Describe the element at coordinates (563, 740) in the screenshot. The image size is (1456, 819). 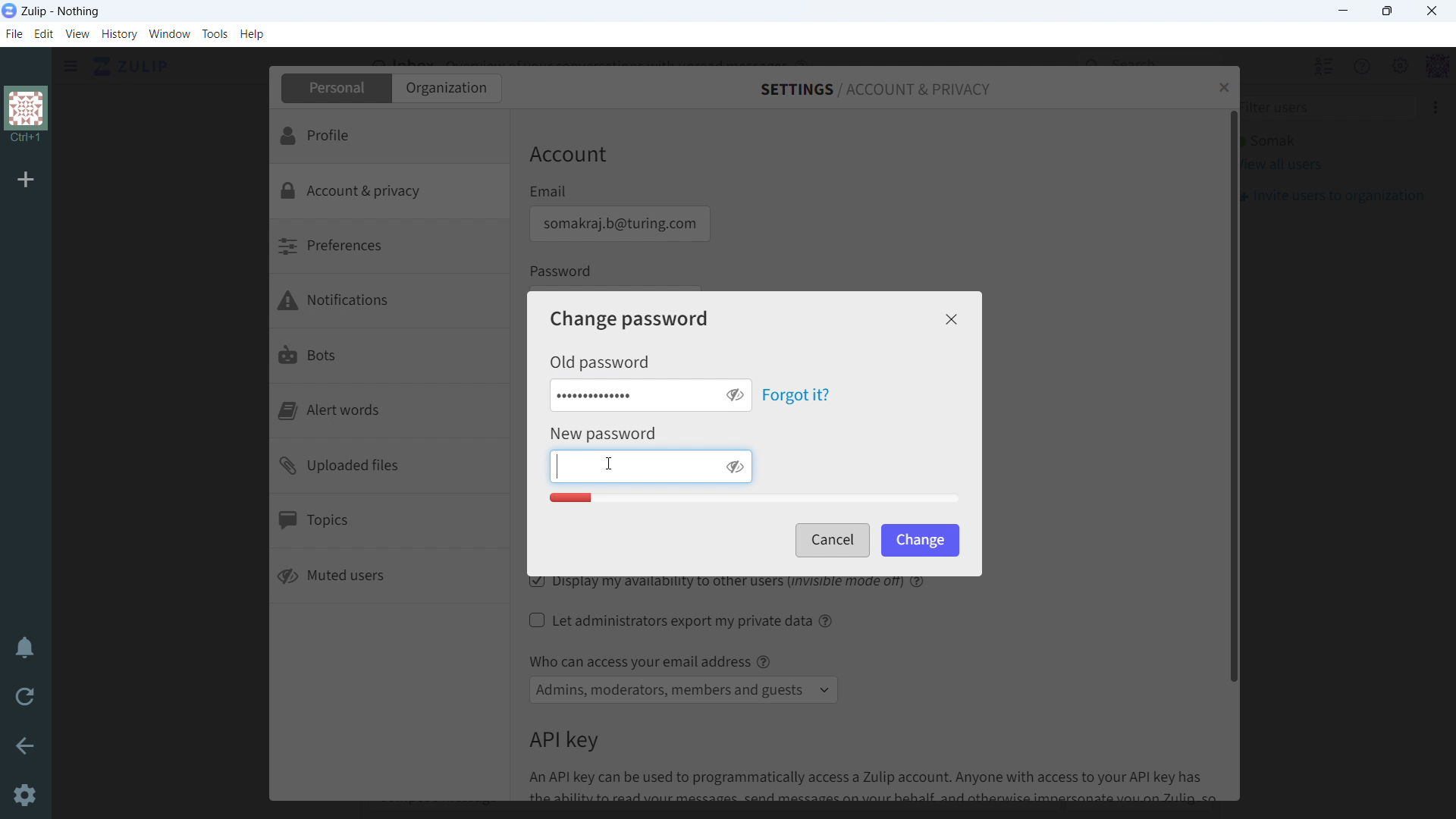
I see `API key` at that location.